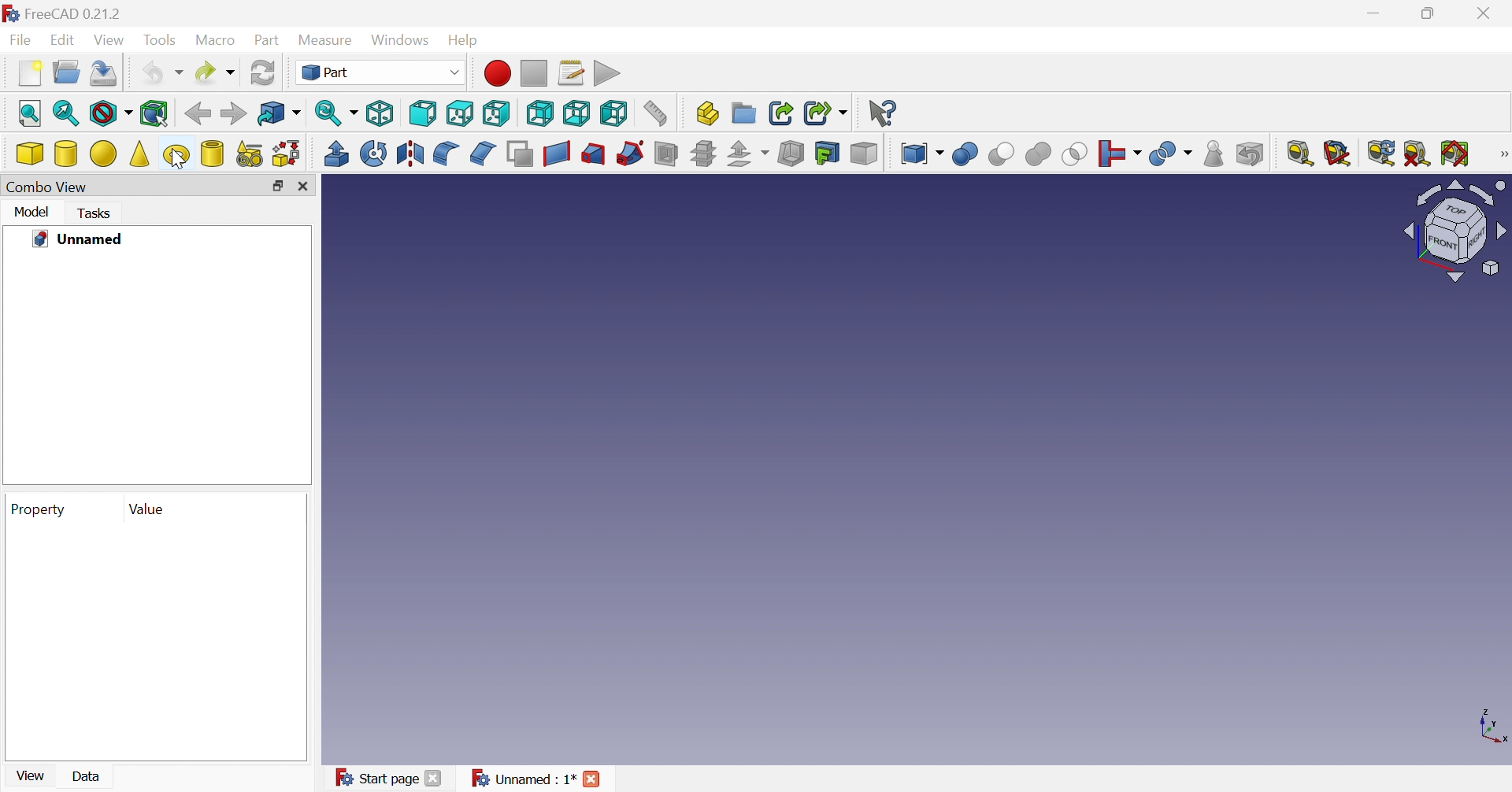 Image resolution: width=1512 pixels, height=792 pixels. What do you see at coordinates (1299, 154) in the screenshot?
I see `Measure liner` at bounding box center [1299, 154].